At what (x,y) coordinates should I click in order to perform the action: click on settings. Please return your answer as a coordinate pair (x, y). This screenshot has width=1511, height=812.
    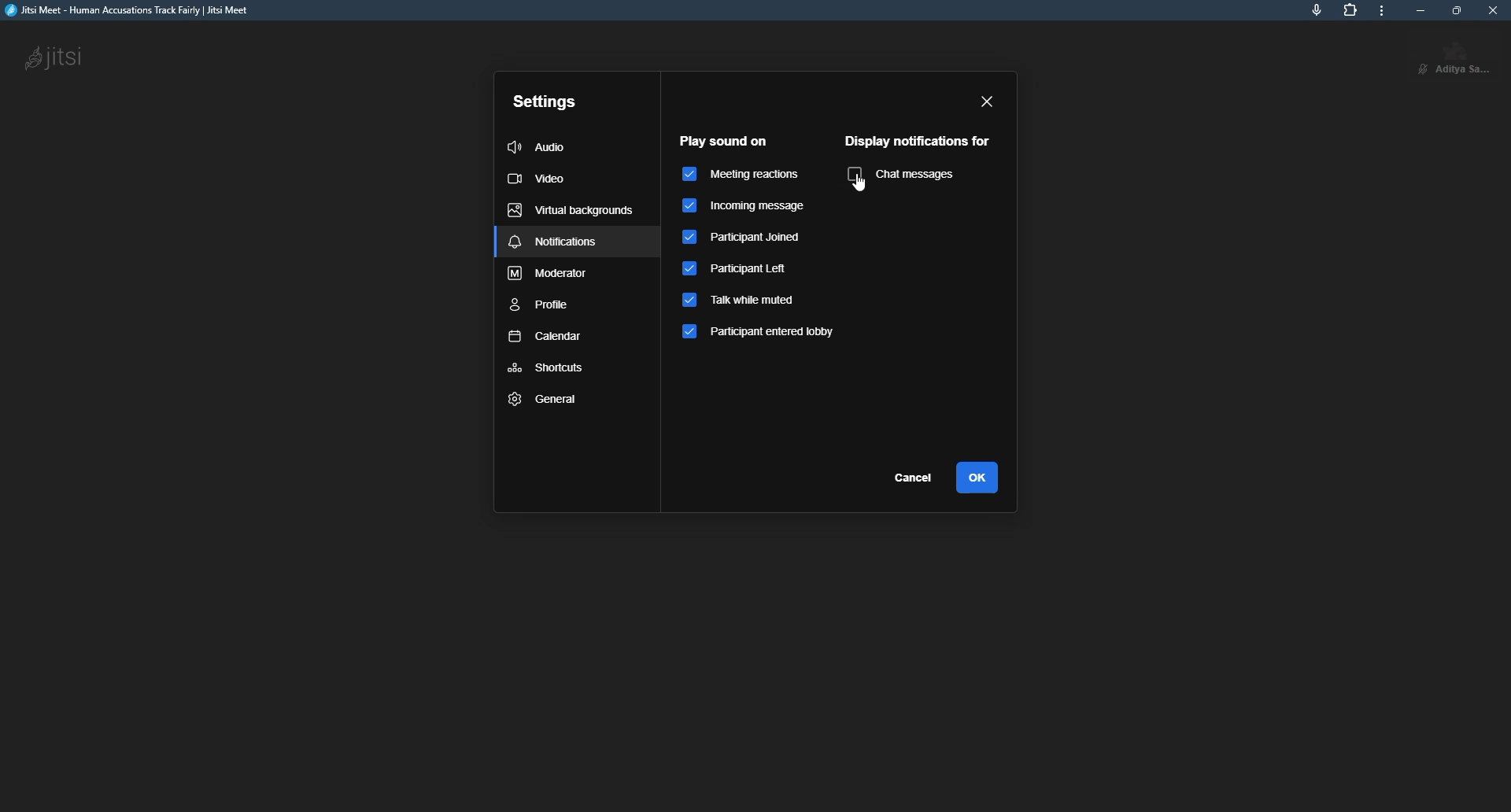
    Looking at the image, I should click on (545, 101).